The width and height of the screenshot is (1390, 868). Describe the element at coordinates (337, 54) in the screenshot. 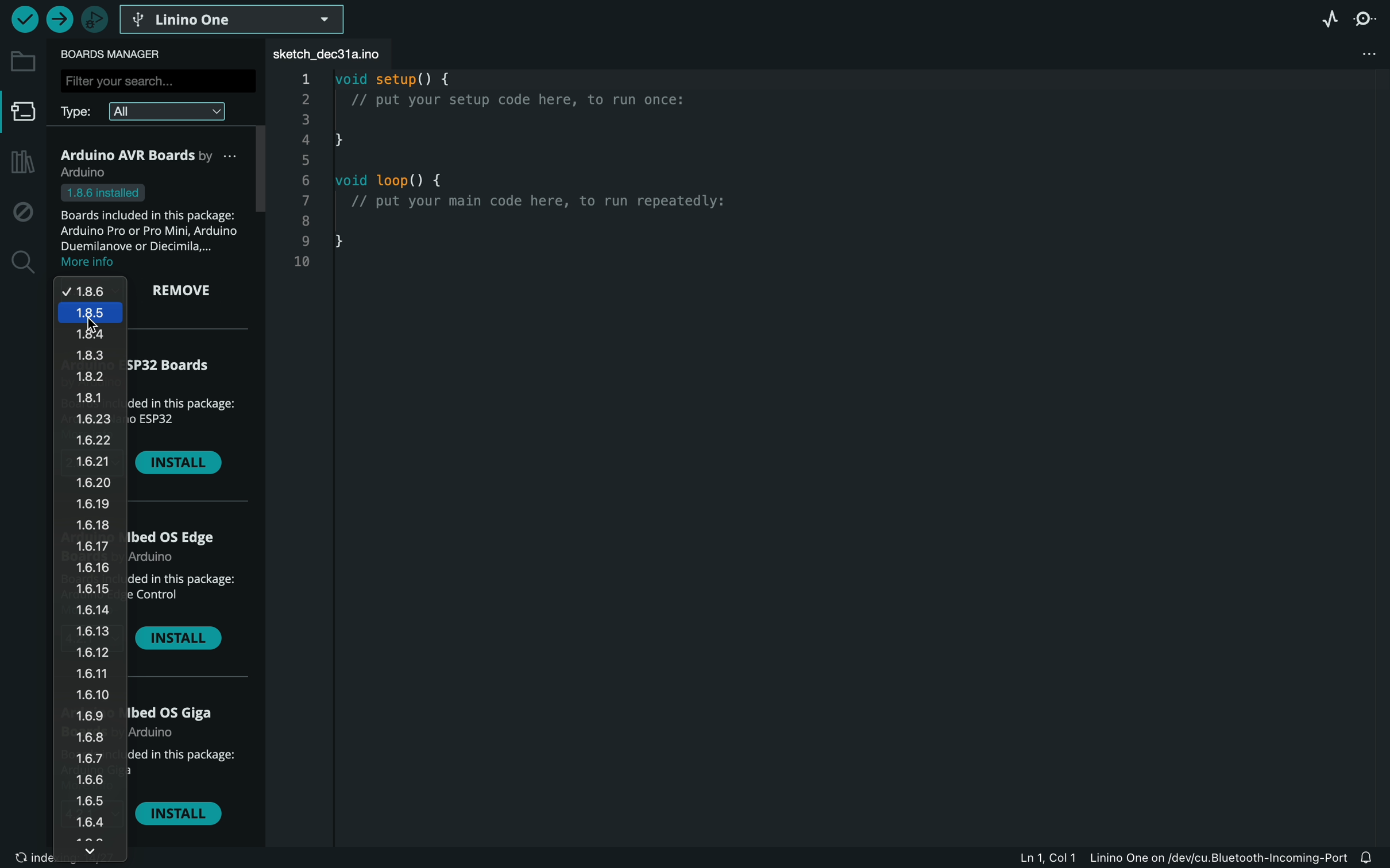

I see `file tab` at that location.